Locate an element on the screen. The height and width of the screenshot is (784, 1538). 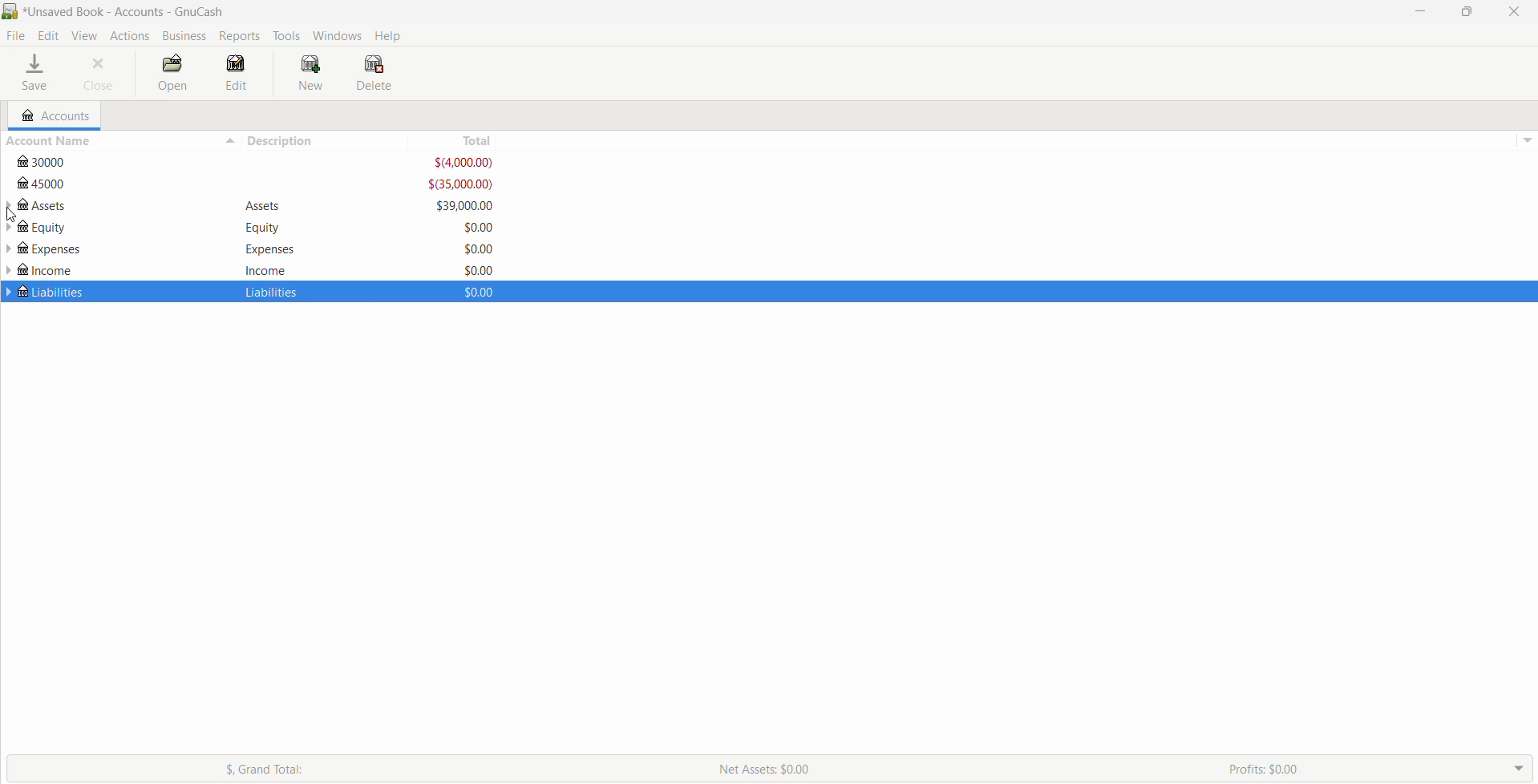
Minimize is located at coordinates (1420, 10).